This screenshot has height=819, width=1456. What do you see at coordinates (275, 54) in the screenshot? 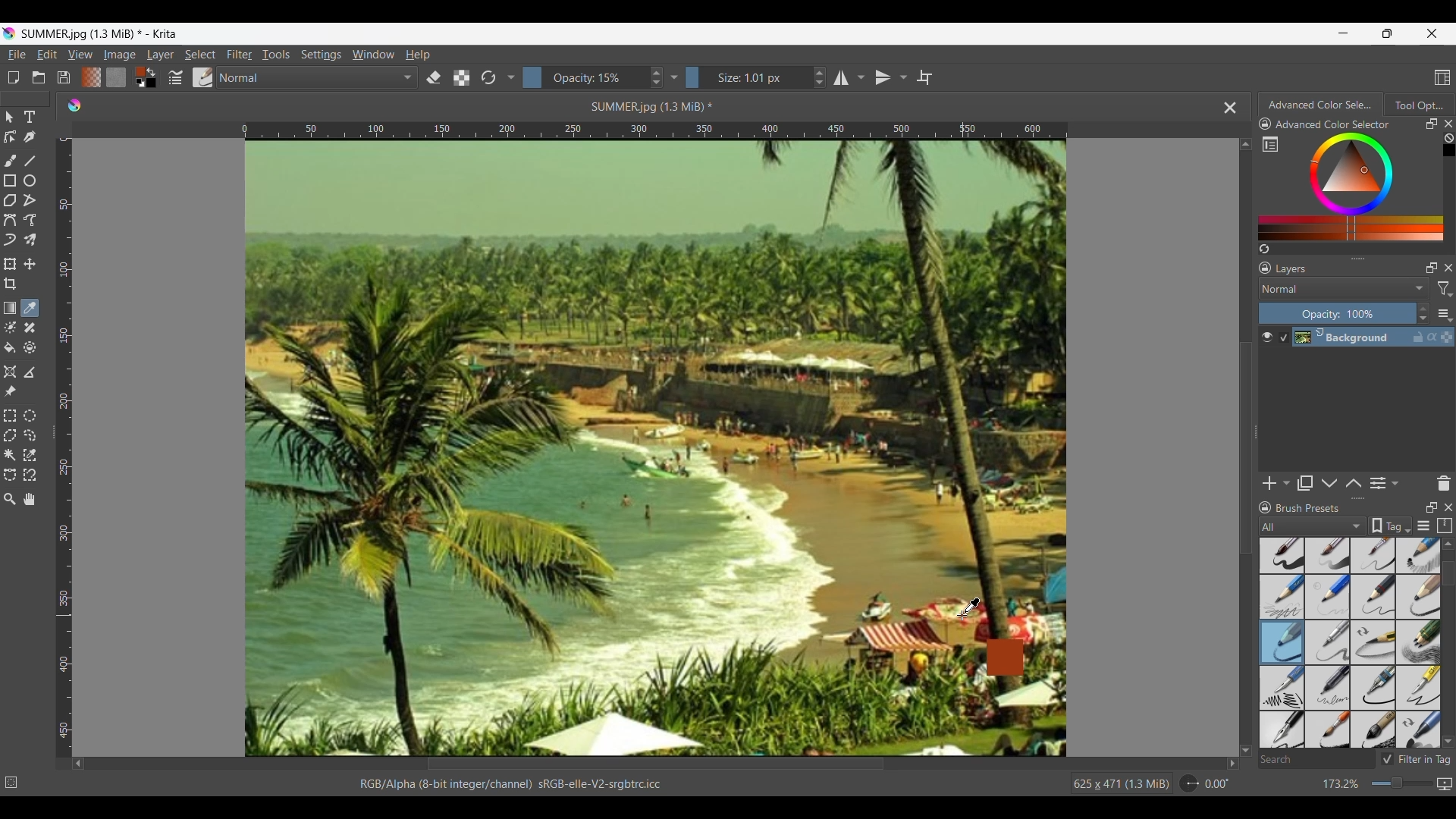
I see `Tools menu` at bounding box center [275, 54].